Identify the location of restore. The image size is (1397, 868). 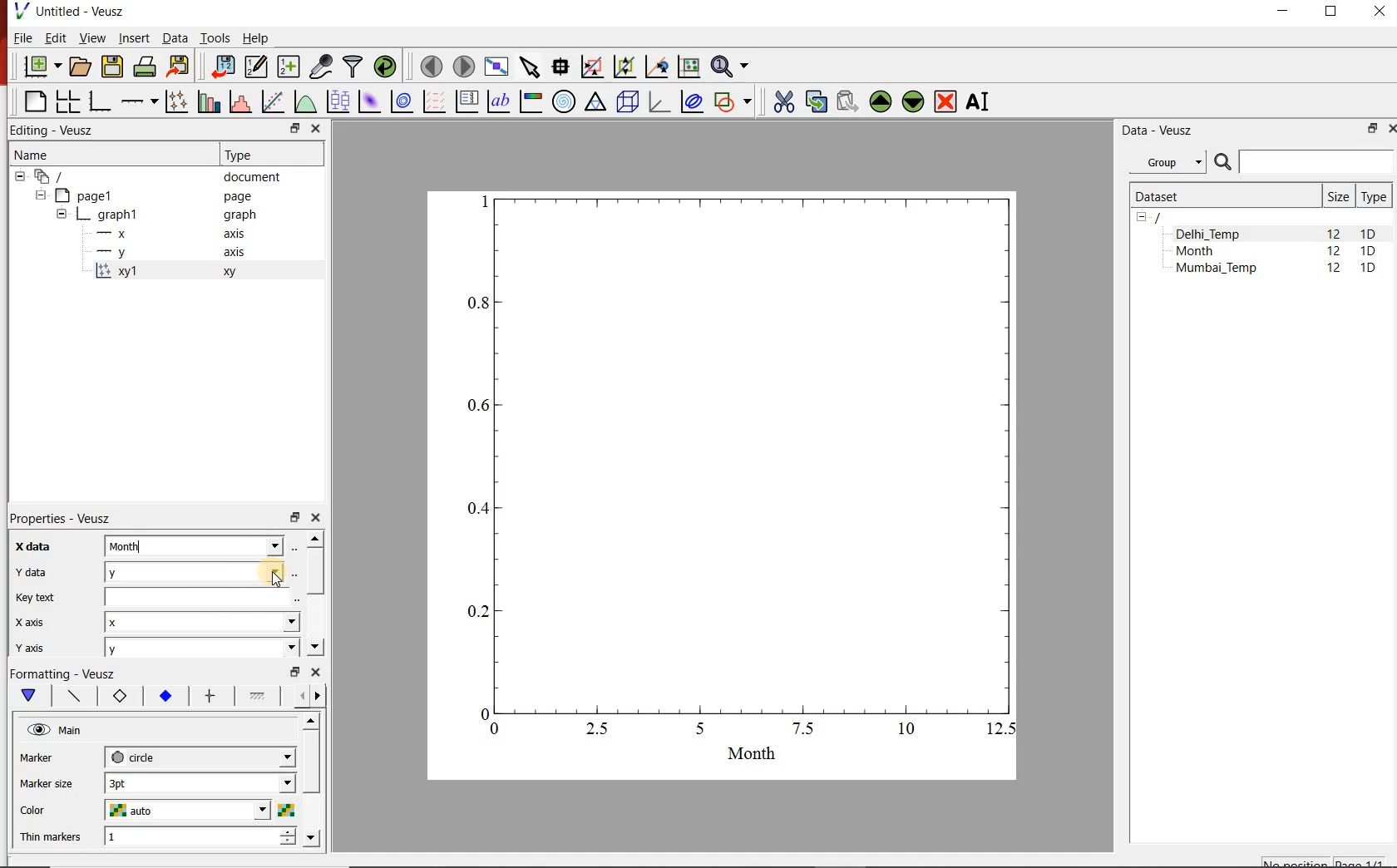
(294, 516).